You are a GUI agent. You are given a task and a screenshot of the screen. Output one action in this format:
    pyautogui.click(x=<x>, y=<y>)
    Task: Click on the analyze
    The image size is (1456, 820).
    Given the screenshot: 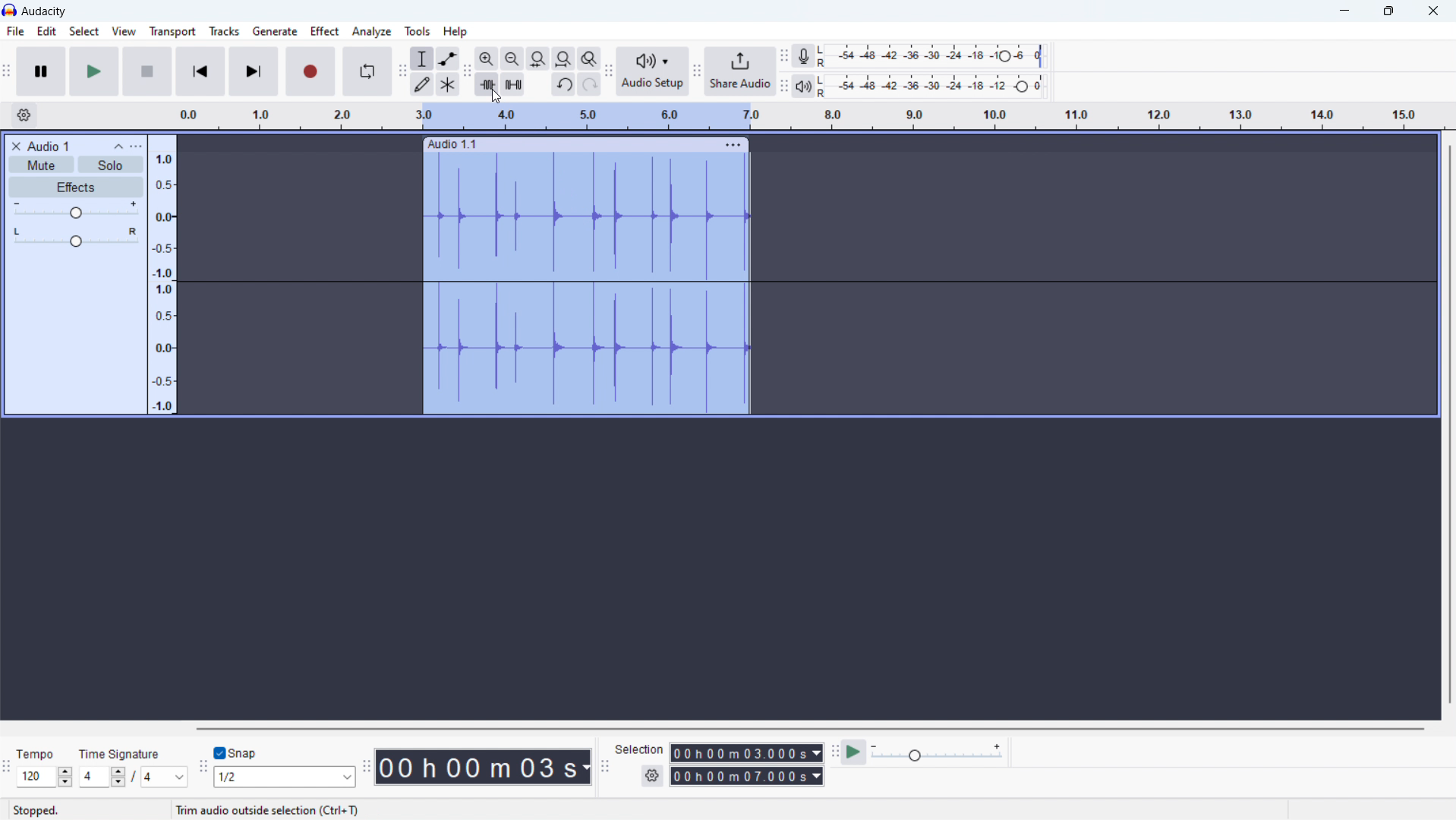 What is the action you would take?
    pyautogui.click(x=372, y=31)
    